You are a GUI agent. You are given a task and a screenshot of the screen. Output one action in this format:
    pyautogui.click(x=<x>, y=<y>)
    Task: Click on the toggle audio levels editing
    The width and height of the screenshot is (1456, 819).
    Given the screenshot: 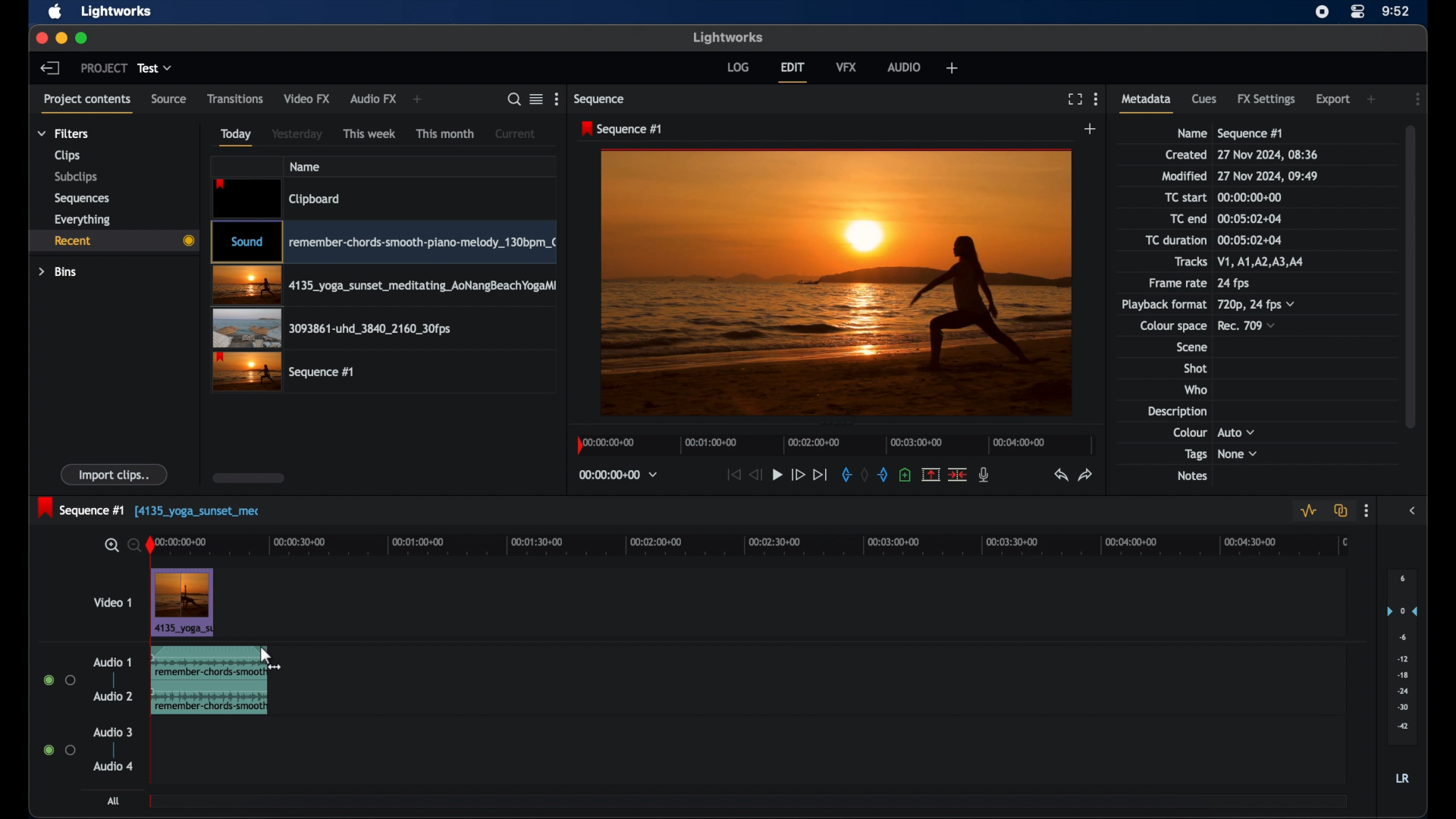 What is the action you would take?
    pyautogui.click(x=1307, y=511)
    